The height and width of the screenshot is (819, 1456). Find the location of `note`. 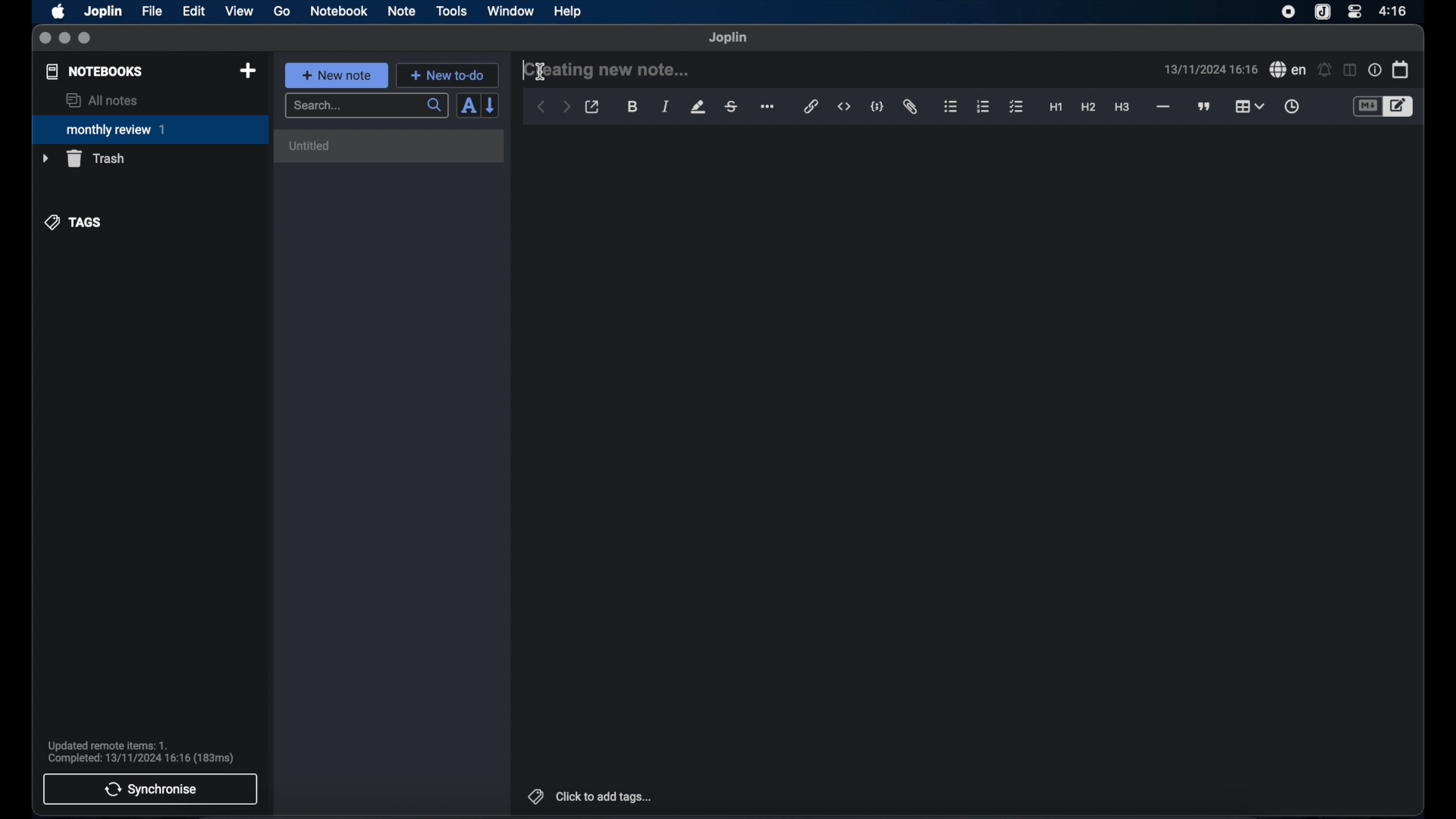

note is located at coordinates (402, 11).